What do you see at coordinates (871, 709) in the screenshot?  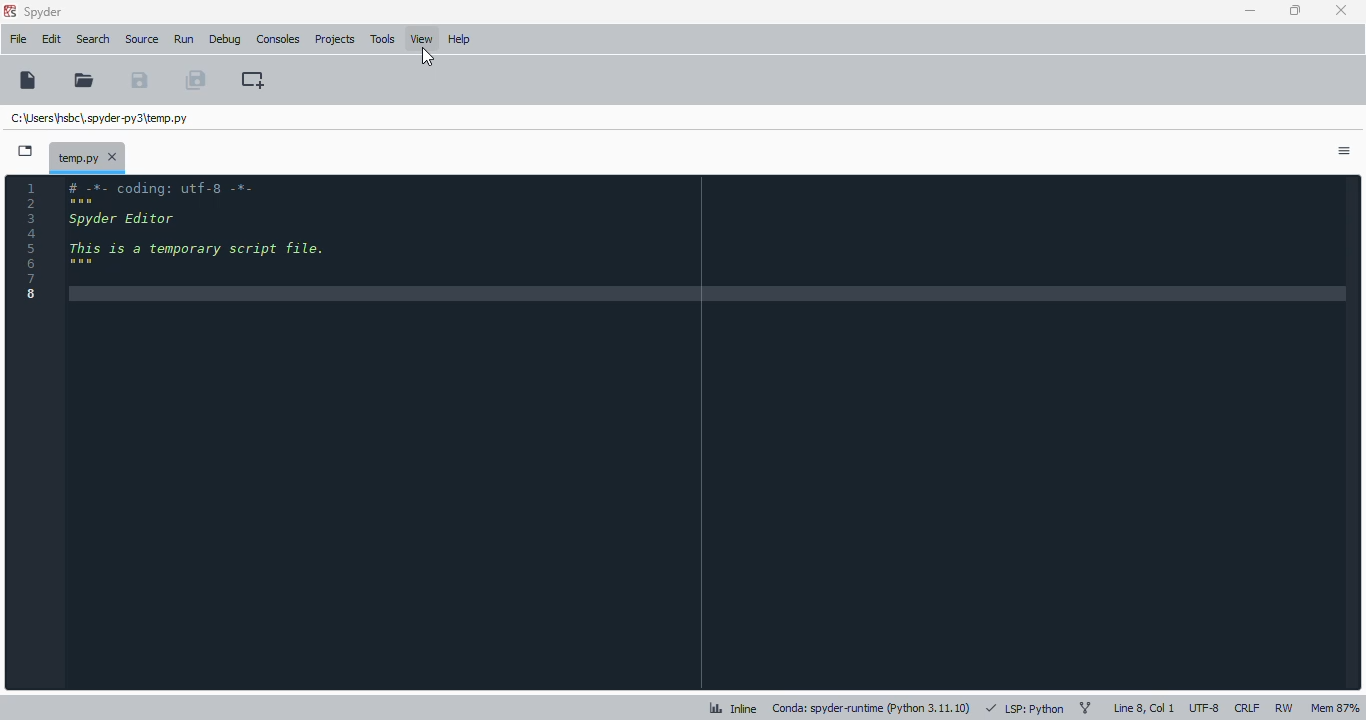 I see `conda: spyder-runtime (python 3. 11. 10)` at bounding box center [871, 709].